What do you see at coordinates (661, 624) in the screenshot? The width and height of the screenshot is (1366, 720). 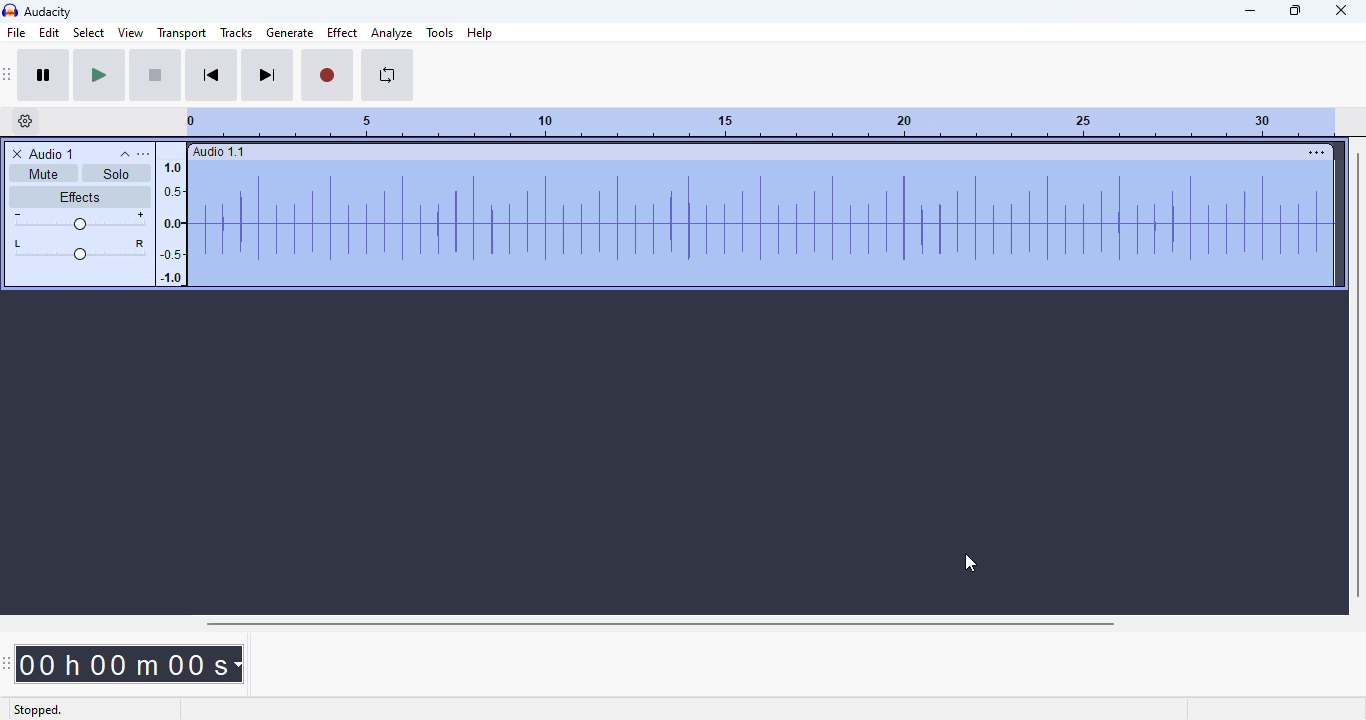 I see `horizontal scroll bar` at bounding box center [661, 624].